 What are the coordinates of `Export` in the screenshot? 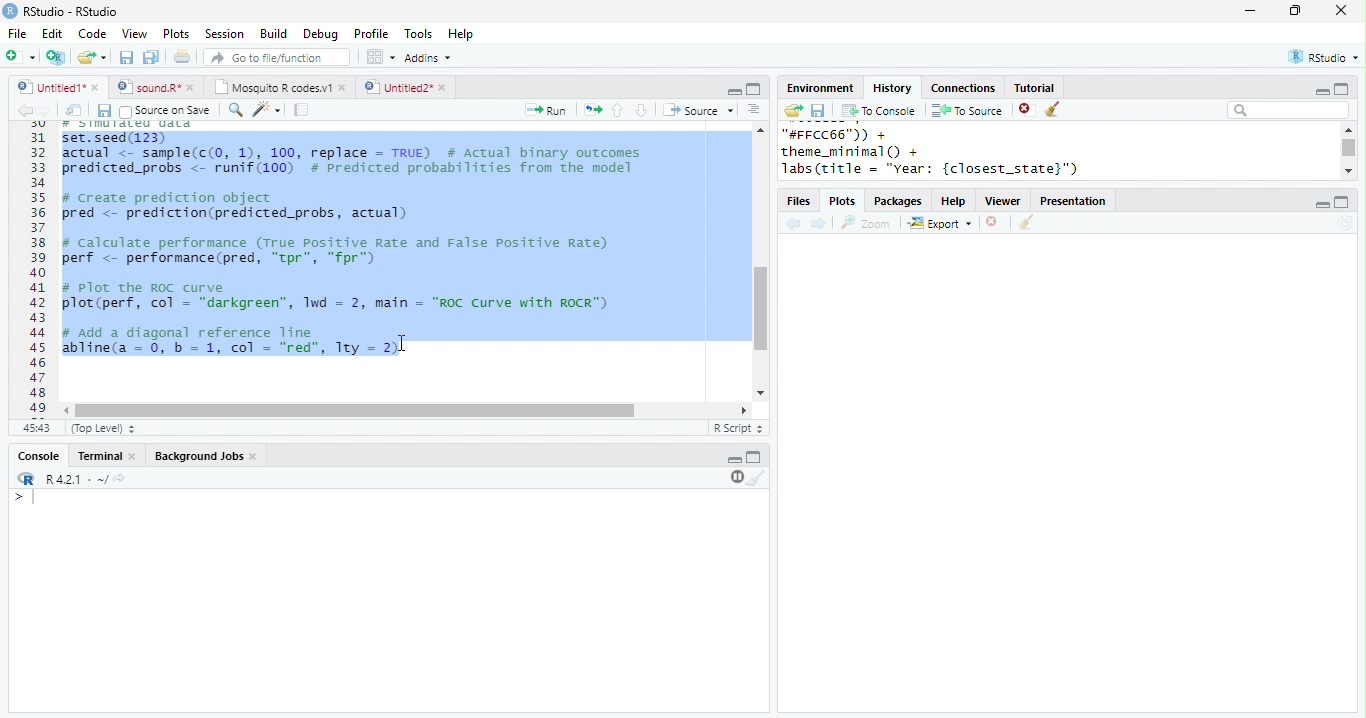 It's located at (941, 224).